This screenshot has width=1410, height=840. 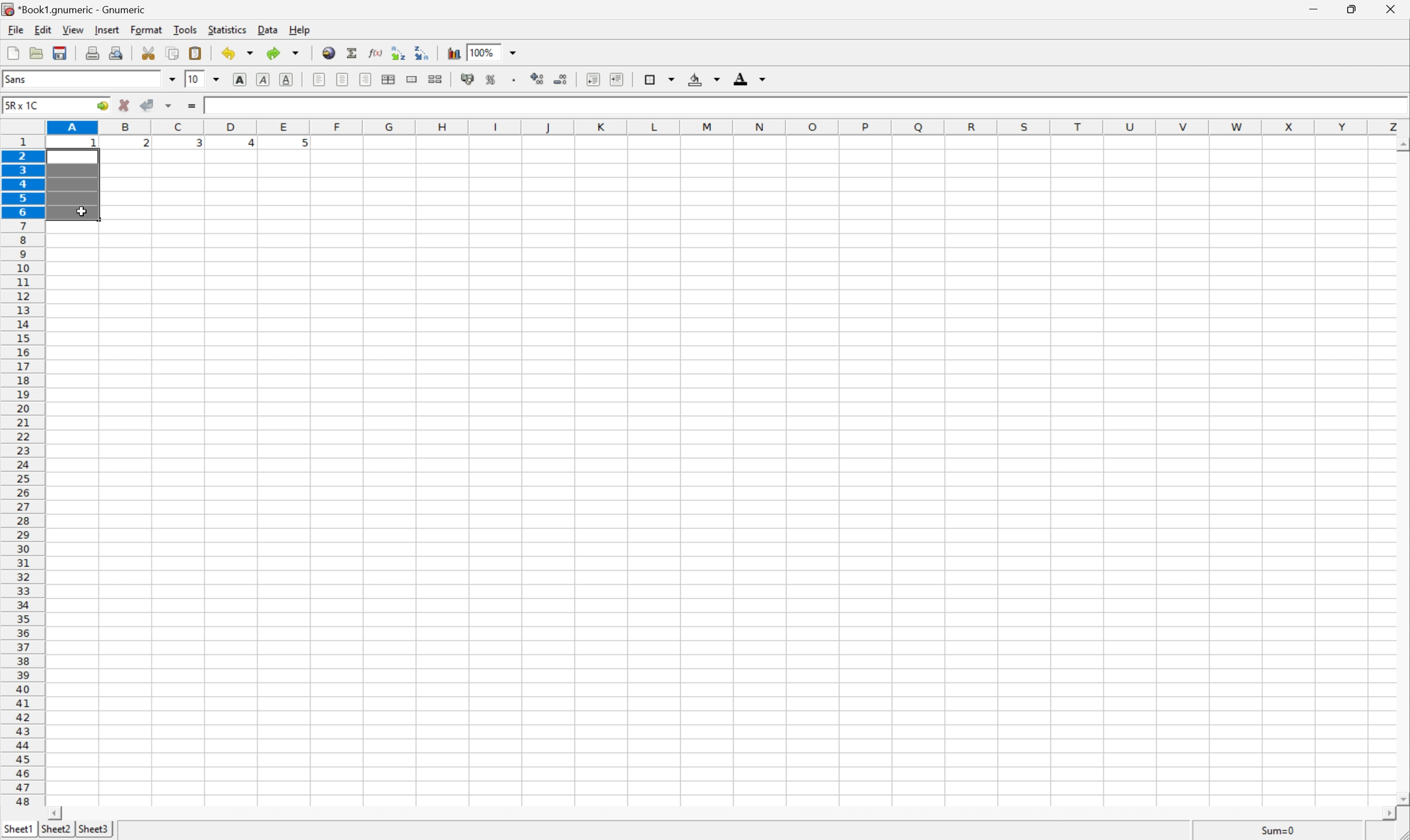 What do you see at coordinates (1319, 10) in the screenshot?
I see `minimize` at bounding box center [1319, 10].